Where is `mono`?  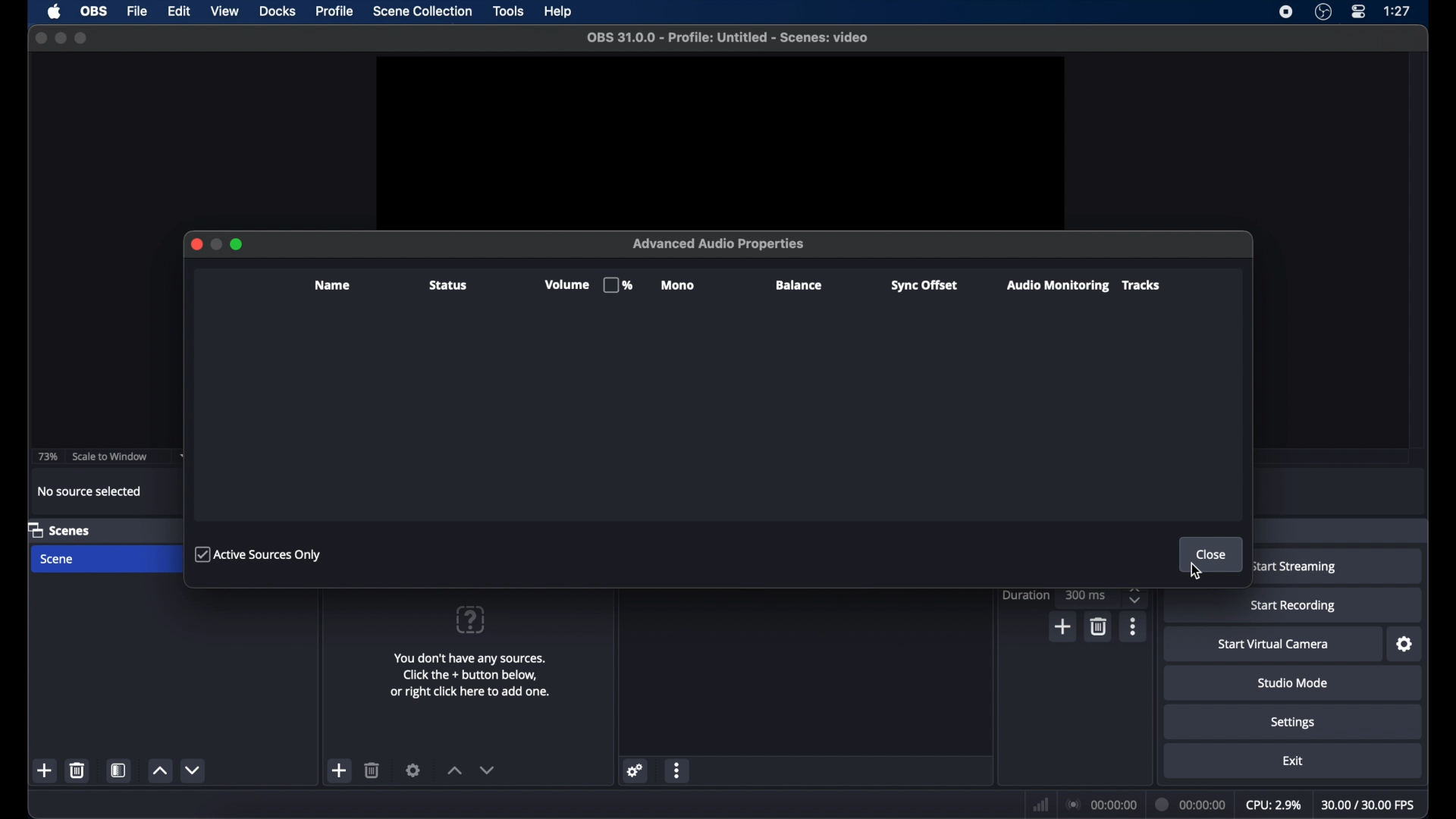
mono is located at coordinates (679, 286).